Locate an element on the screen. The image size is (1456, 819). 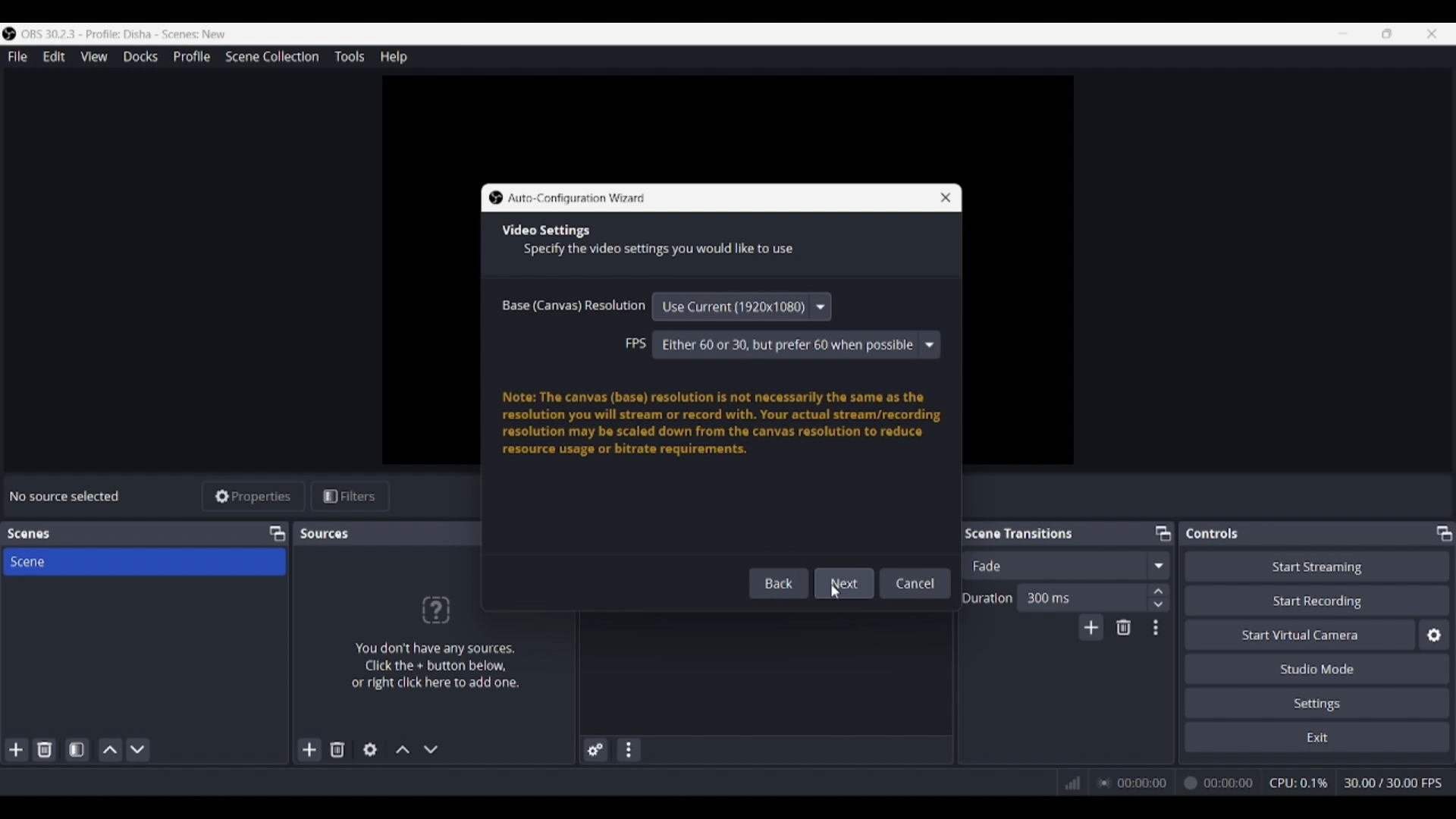
View menu is located at coordinates (94, 56).